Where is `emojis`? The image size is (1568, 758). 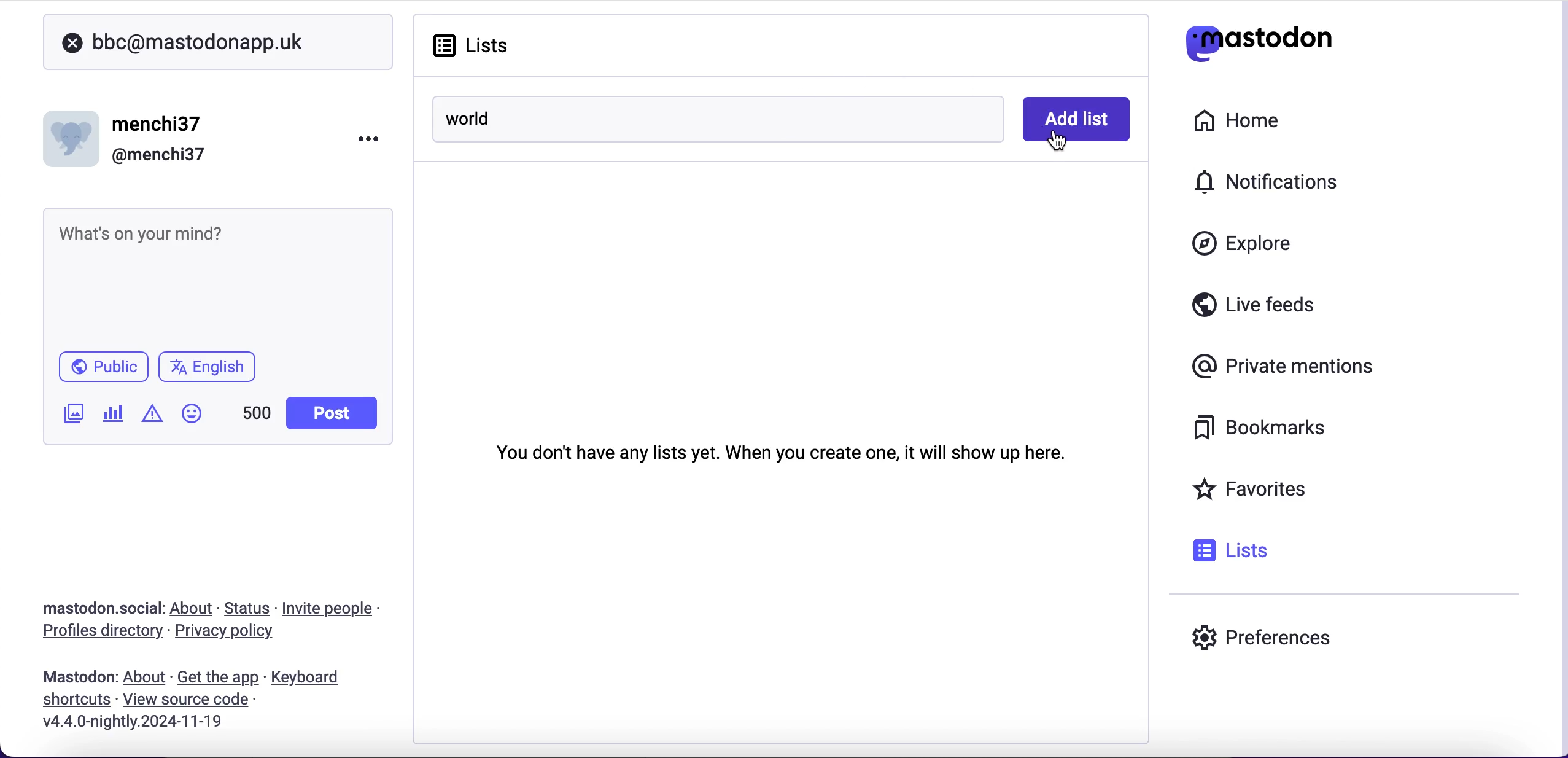 emojis is located at coordinates (197, 420).